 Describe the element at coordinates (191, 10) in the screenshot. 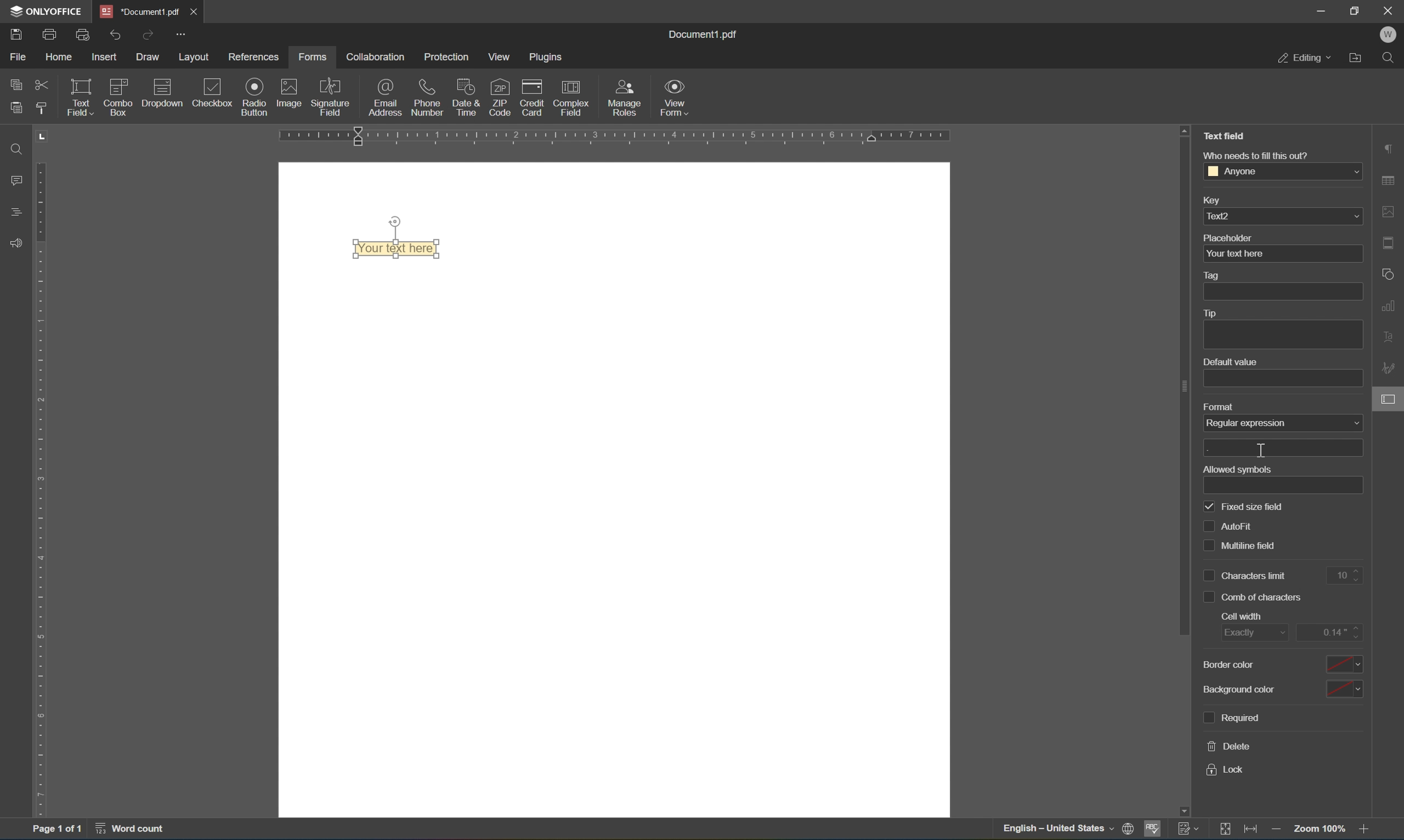

I see `close` at that location.